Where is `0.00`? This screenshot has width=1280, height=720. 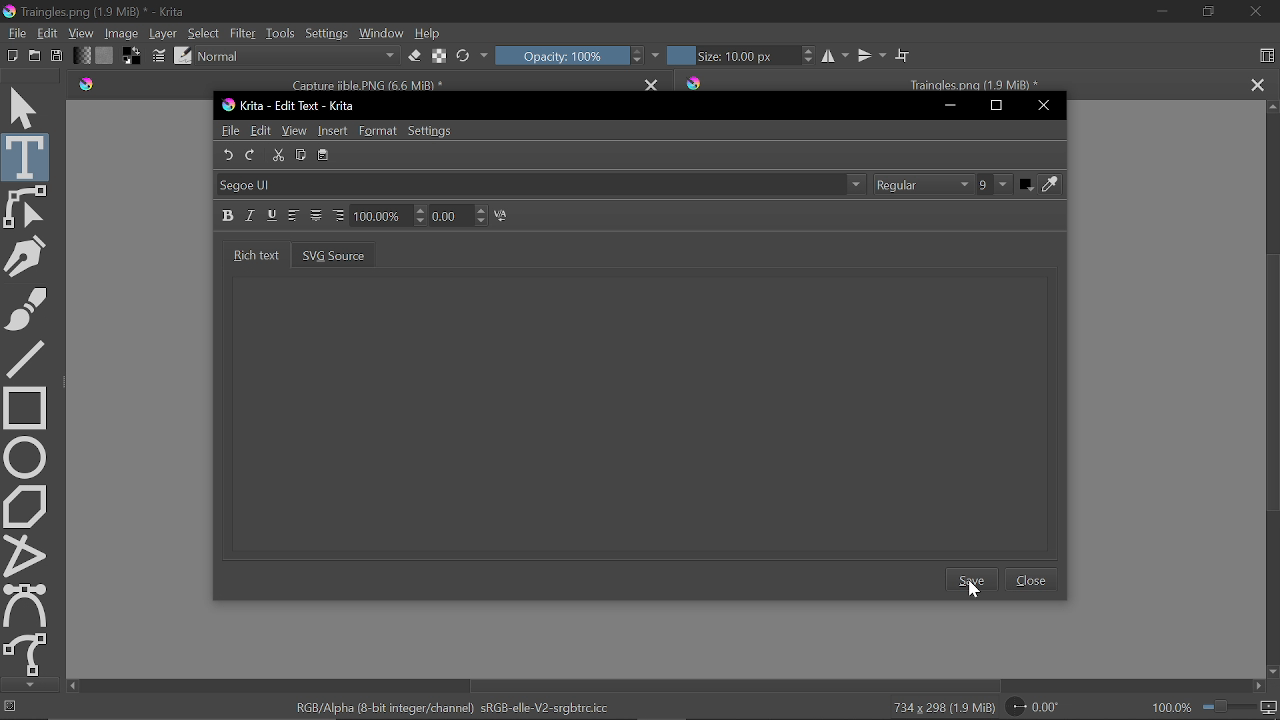
0.00 is located at coordinates (457, 216).